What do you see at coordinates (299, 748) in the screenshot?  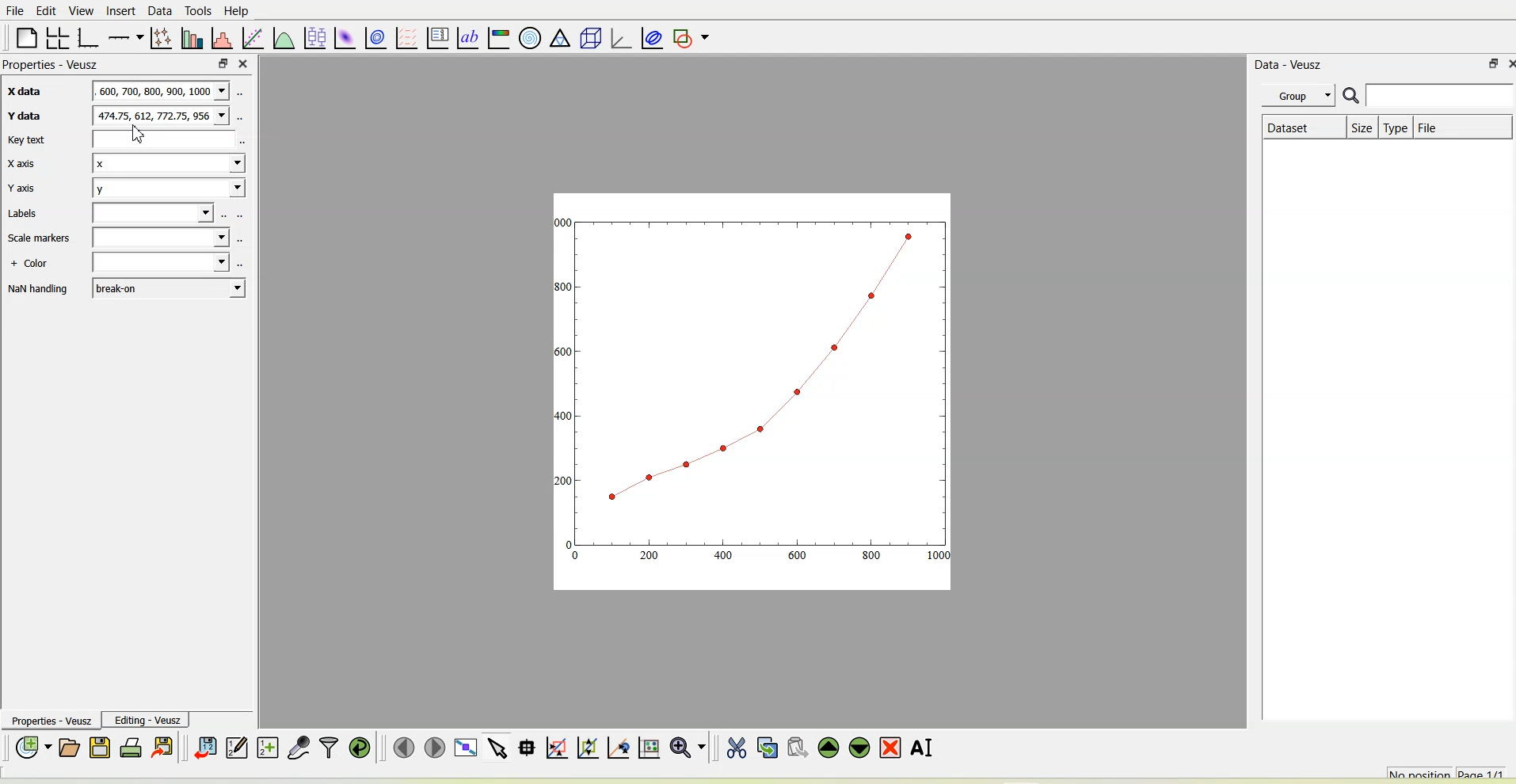 I see `Capture remote data` at bounding box center [299, 748].